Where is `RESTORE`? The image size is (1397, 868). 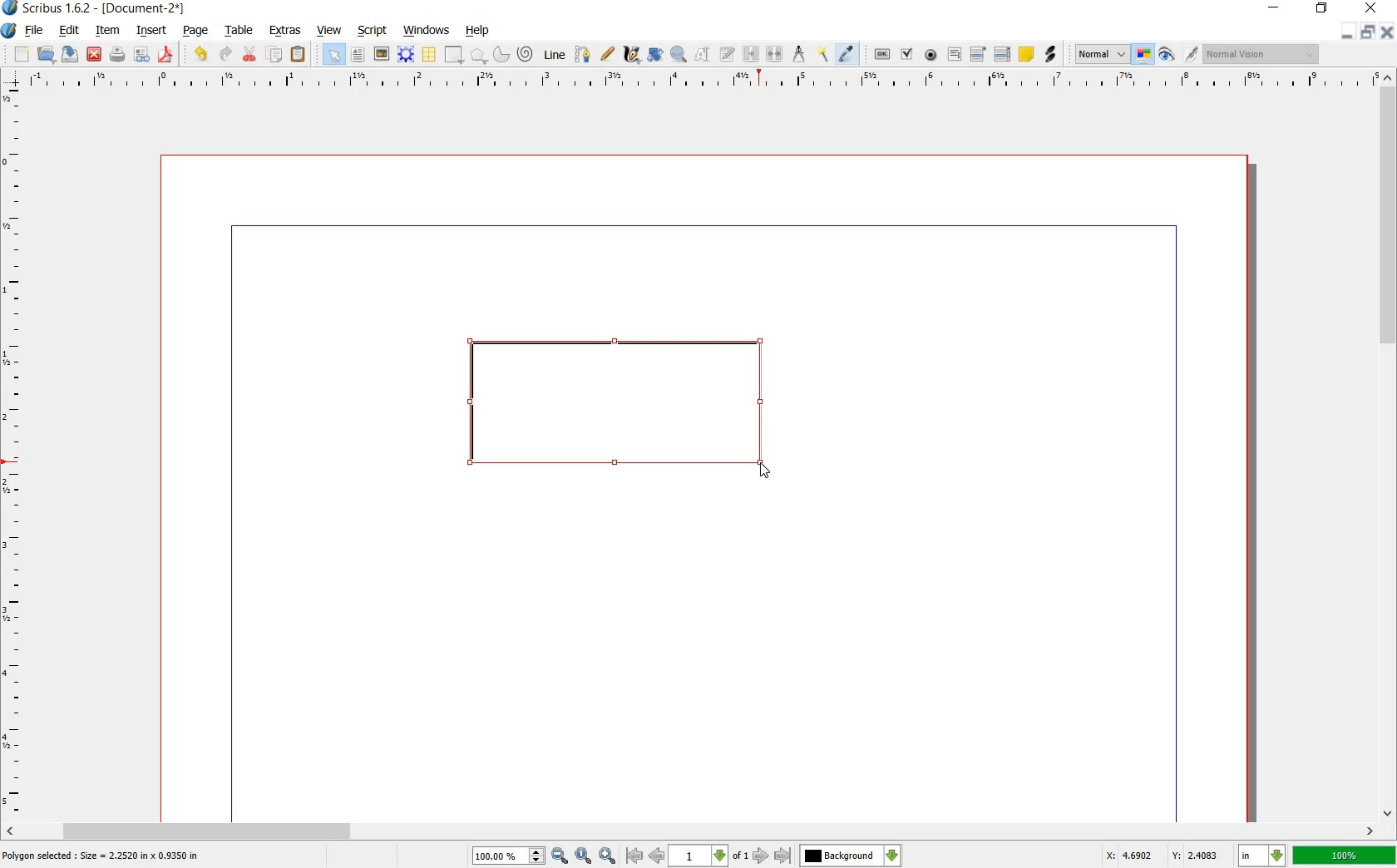
RESTORE is located at coordinates (1370, 32).